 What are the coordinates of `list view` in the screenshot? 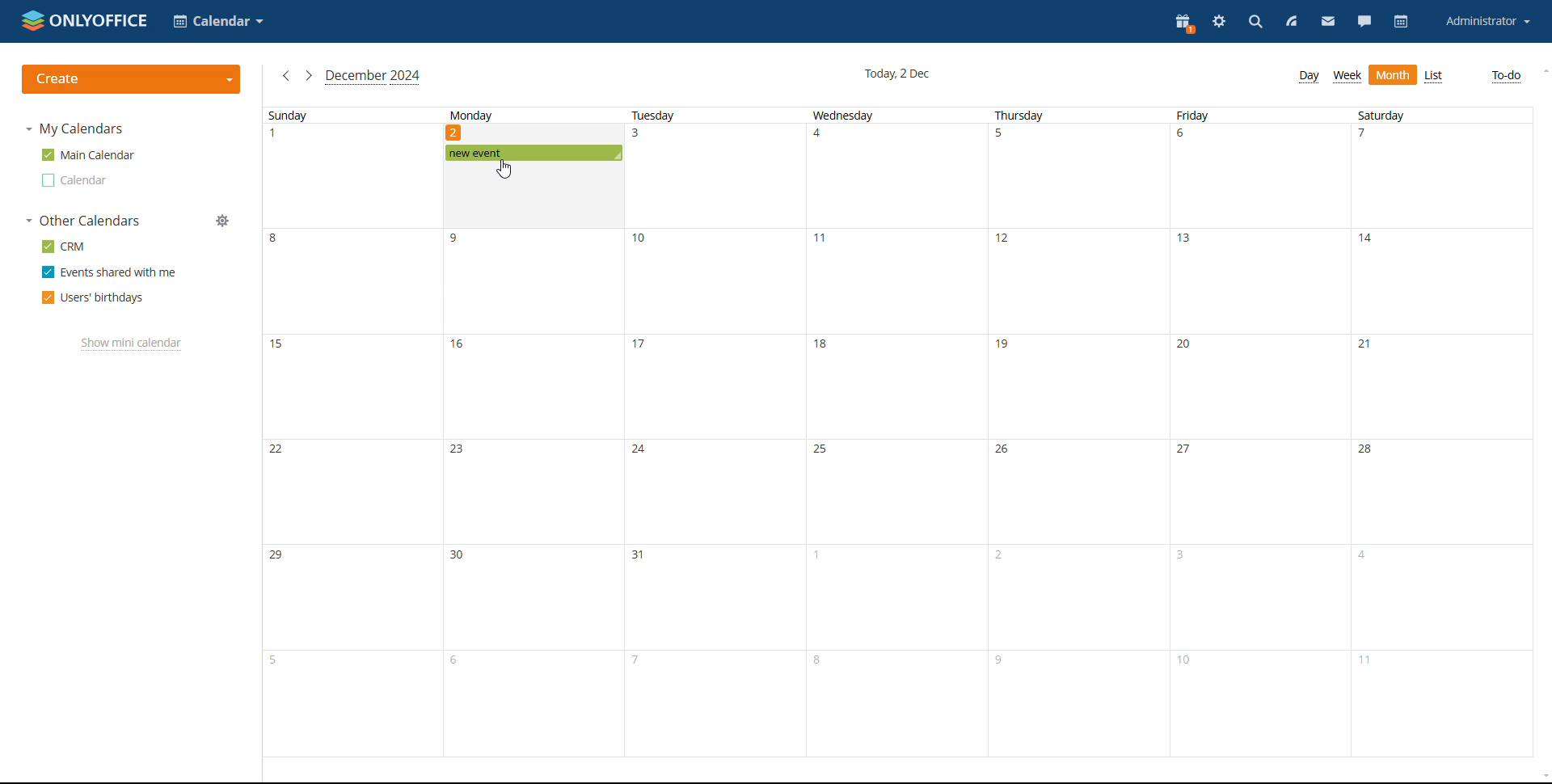 It's located at (1435, 76).